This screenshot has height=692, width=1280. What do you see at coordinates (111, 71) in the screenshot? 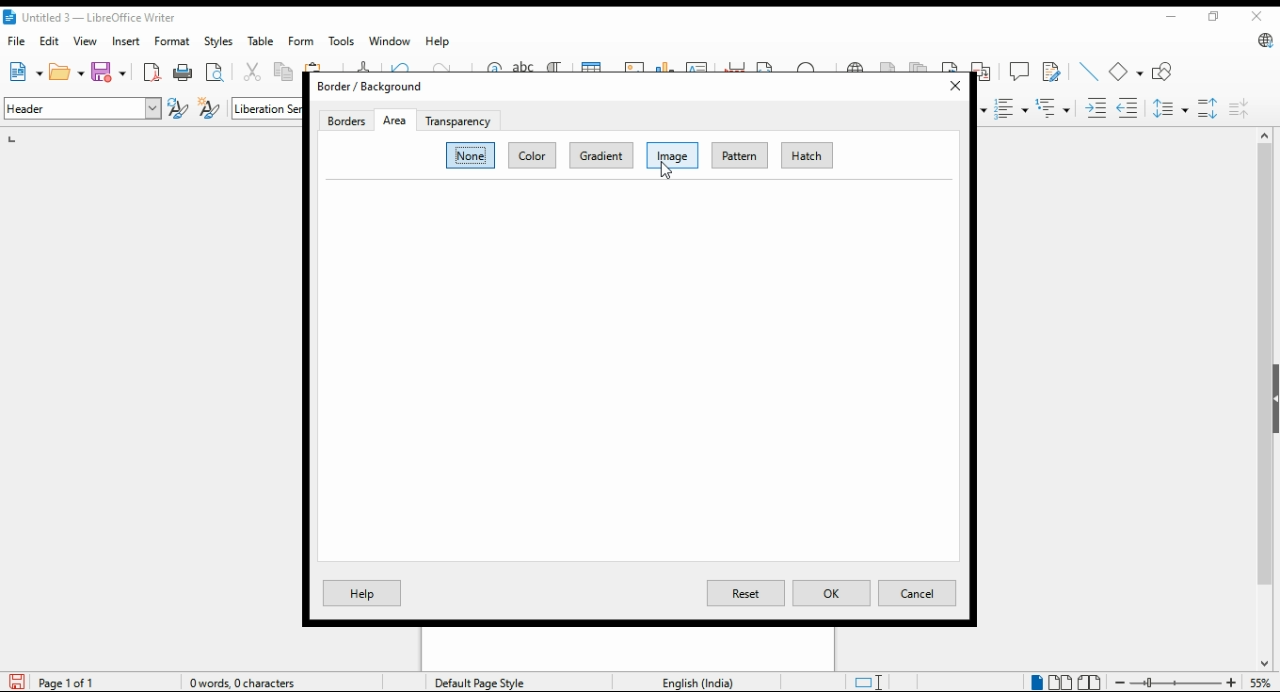
I see `ave` at bounding box center [111, 71].